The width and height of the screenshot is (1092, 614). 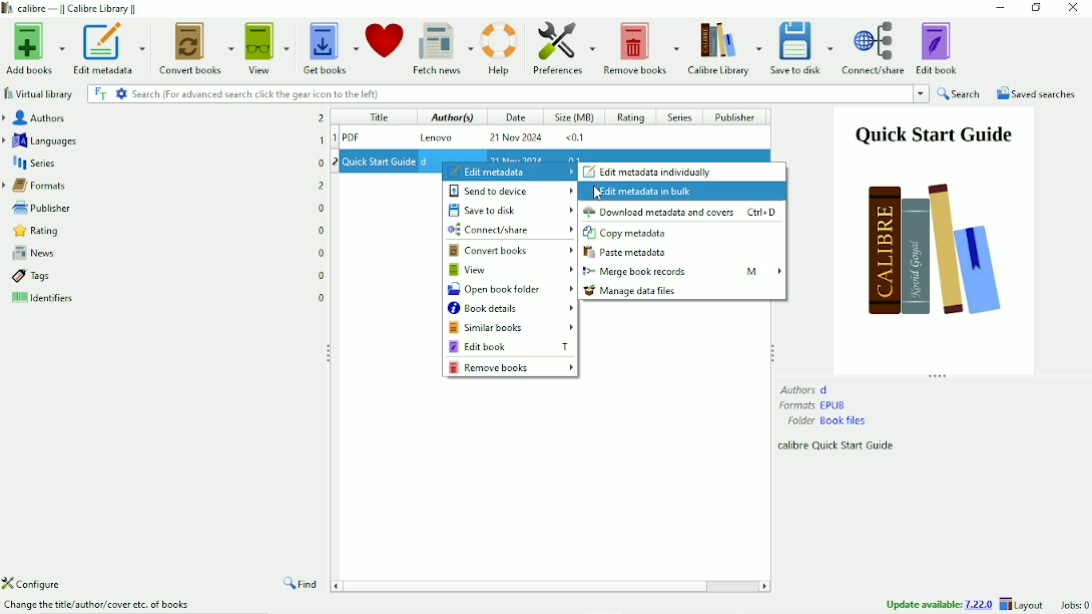 I want to click on Get books, so click(x=331, y=45).